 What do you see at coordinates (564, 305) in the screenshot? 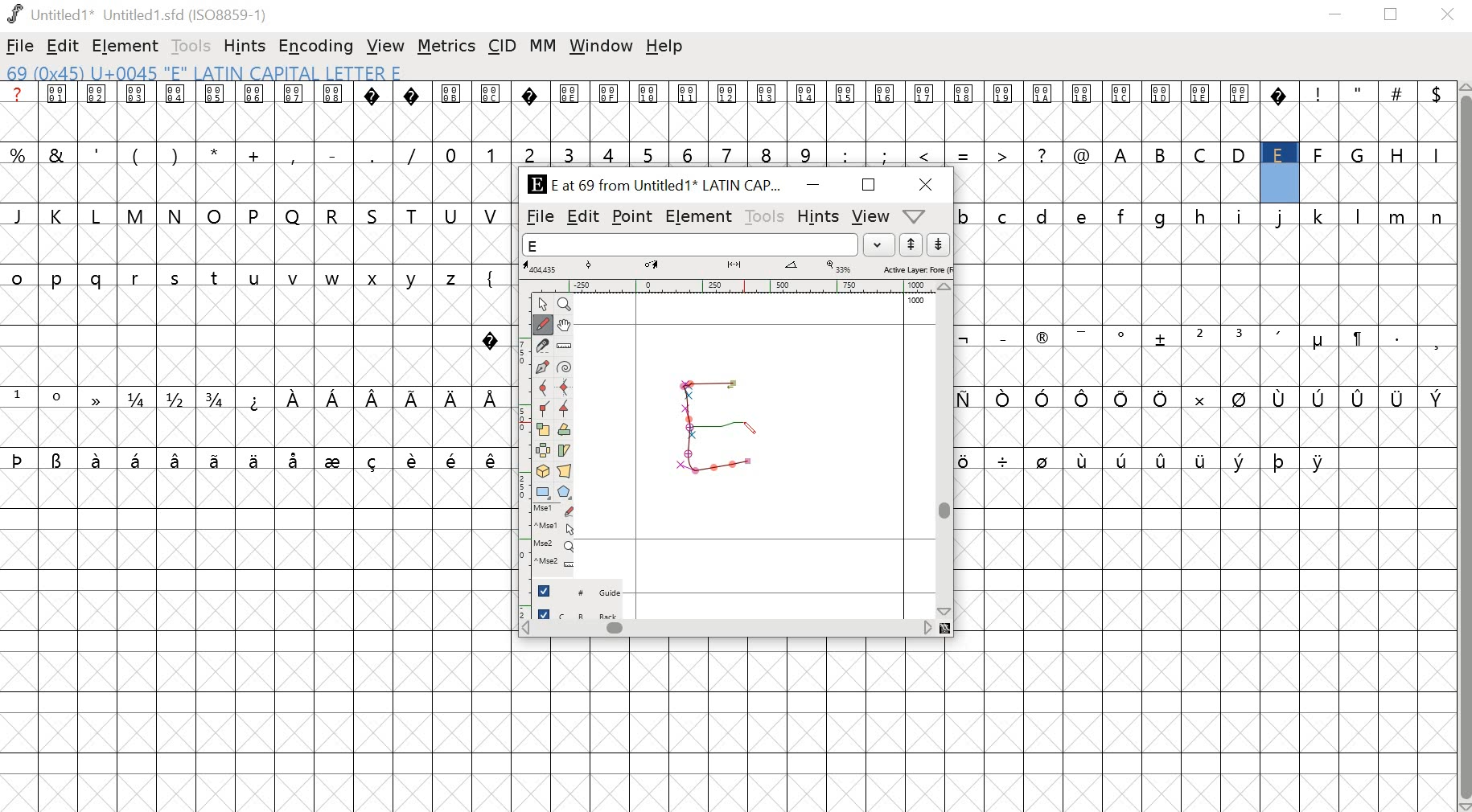
I see `Zoom` at bounding box center [564, 305].